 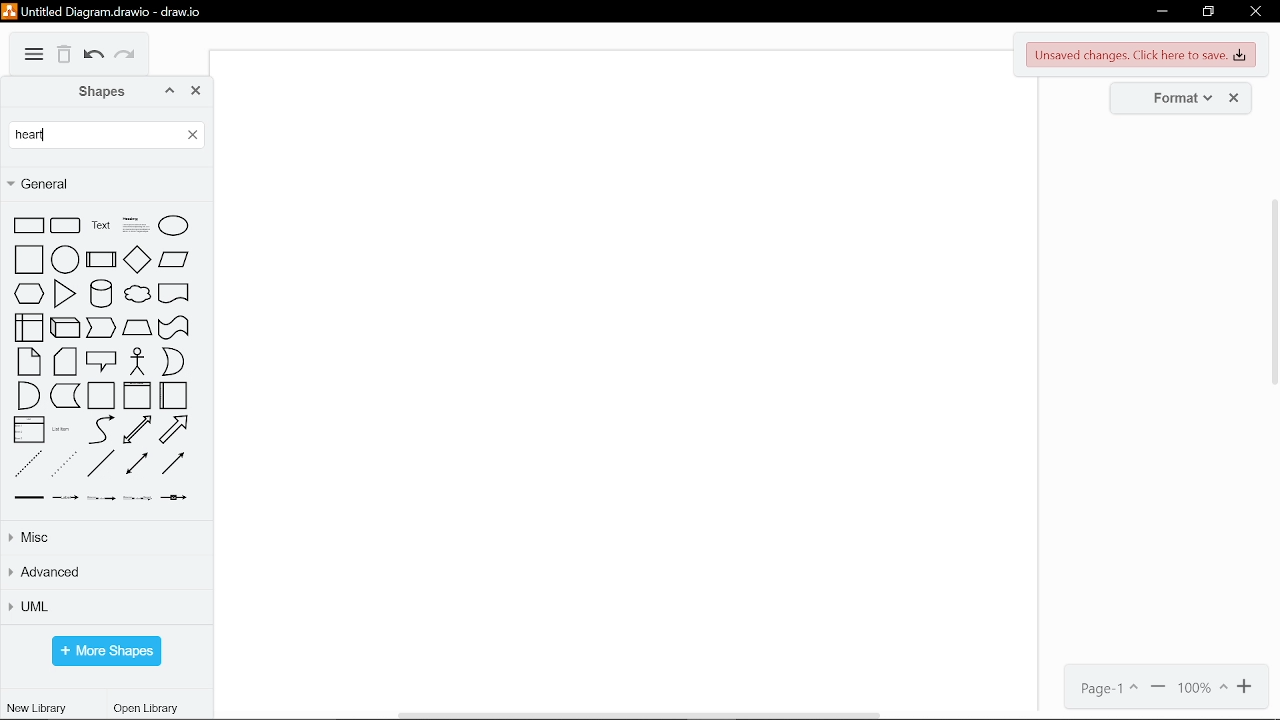 What do you see at coordinates (94, 135) in the screenshot?
I see `search shapes` at bounding box center [94, 135].